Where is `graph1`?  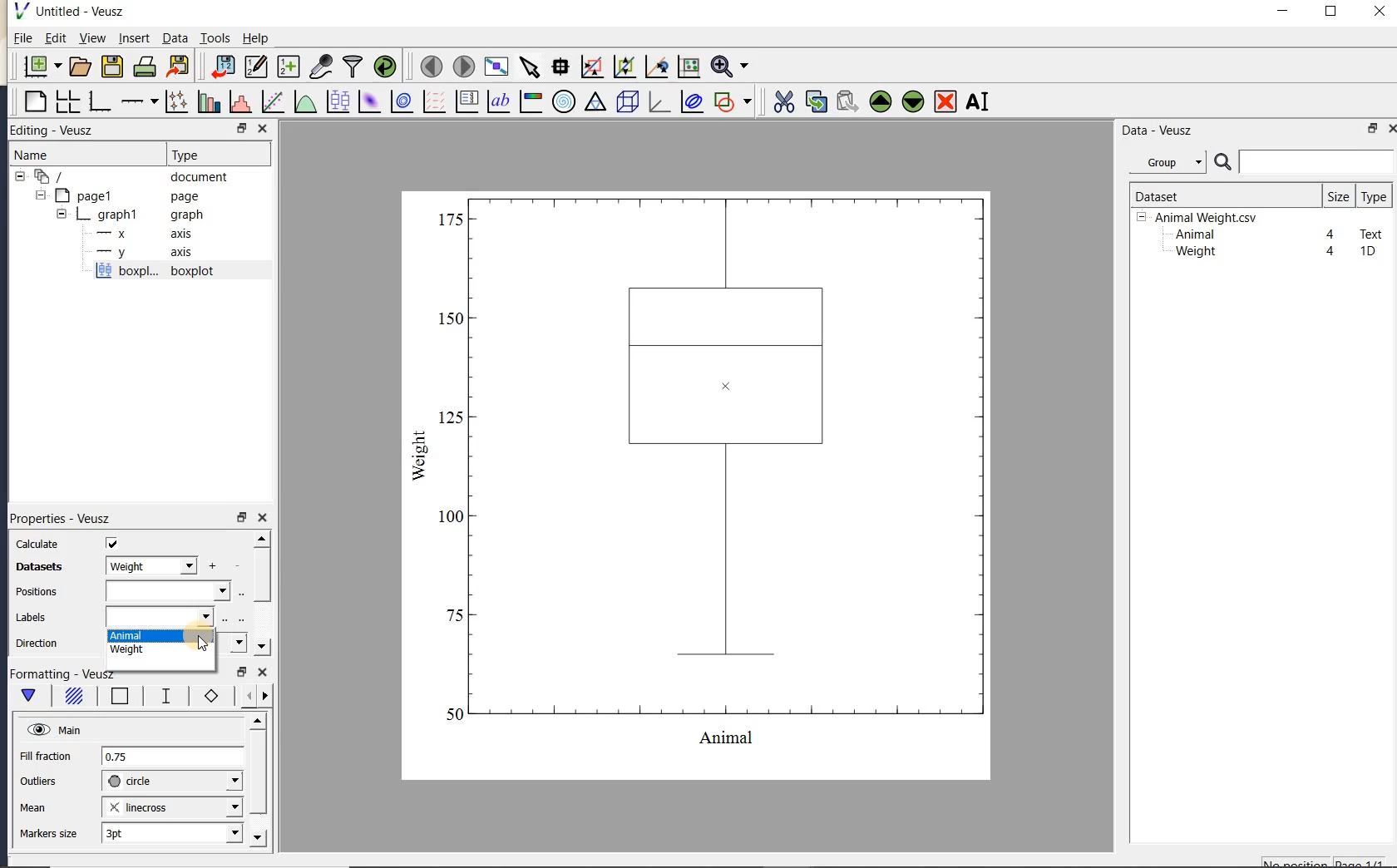 graph1 is located at coordinates (122, 215).